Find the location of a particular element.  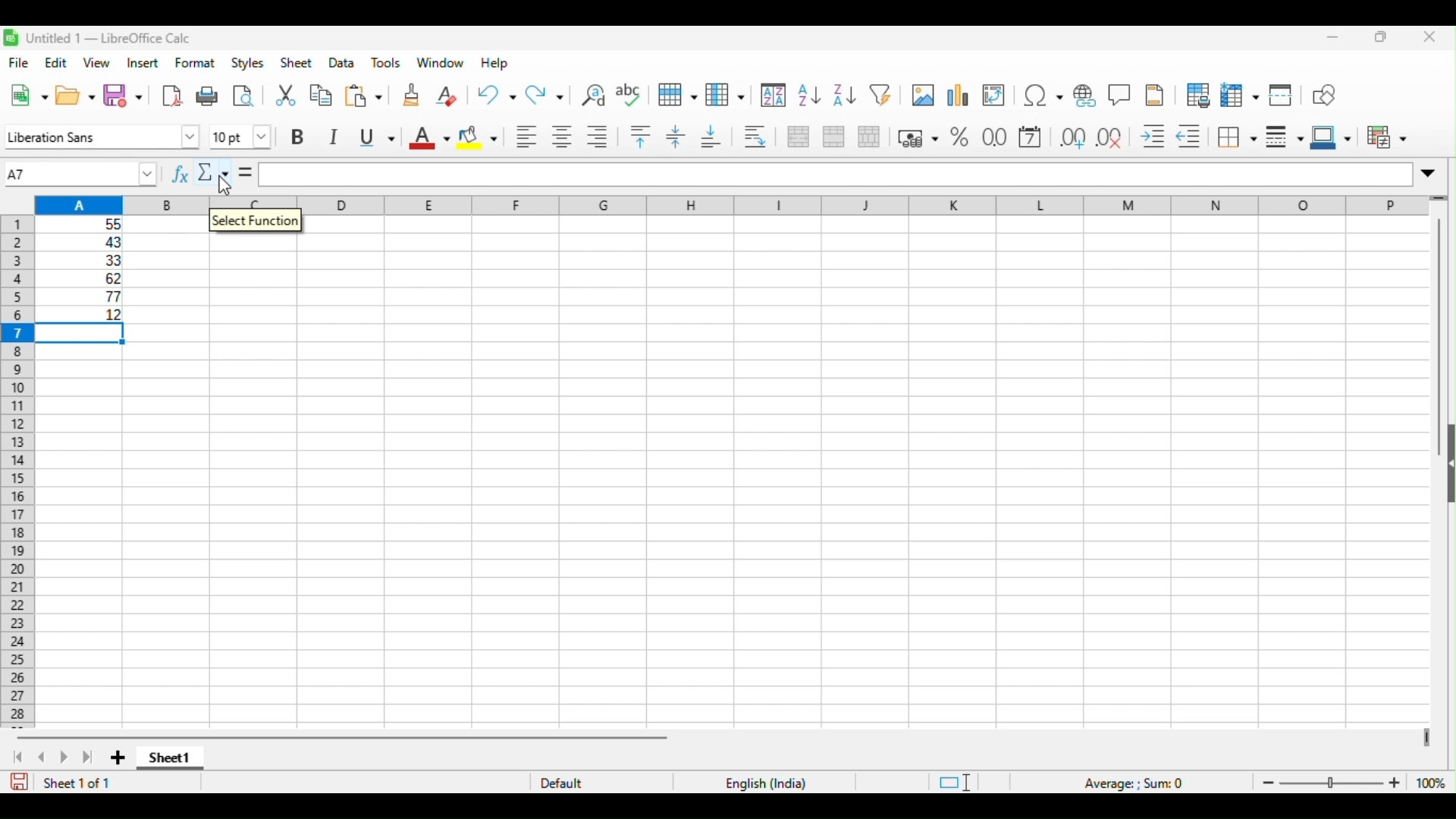

insert or edit pivot table is located at coordinates (996, 93).